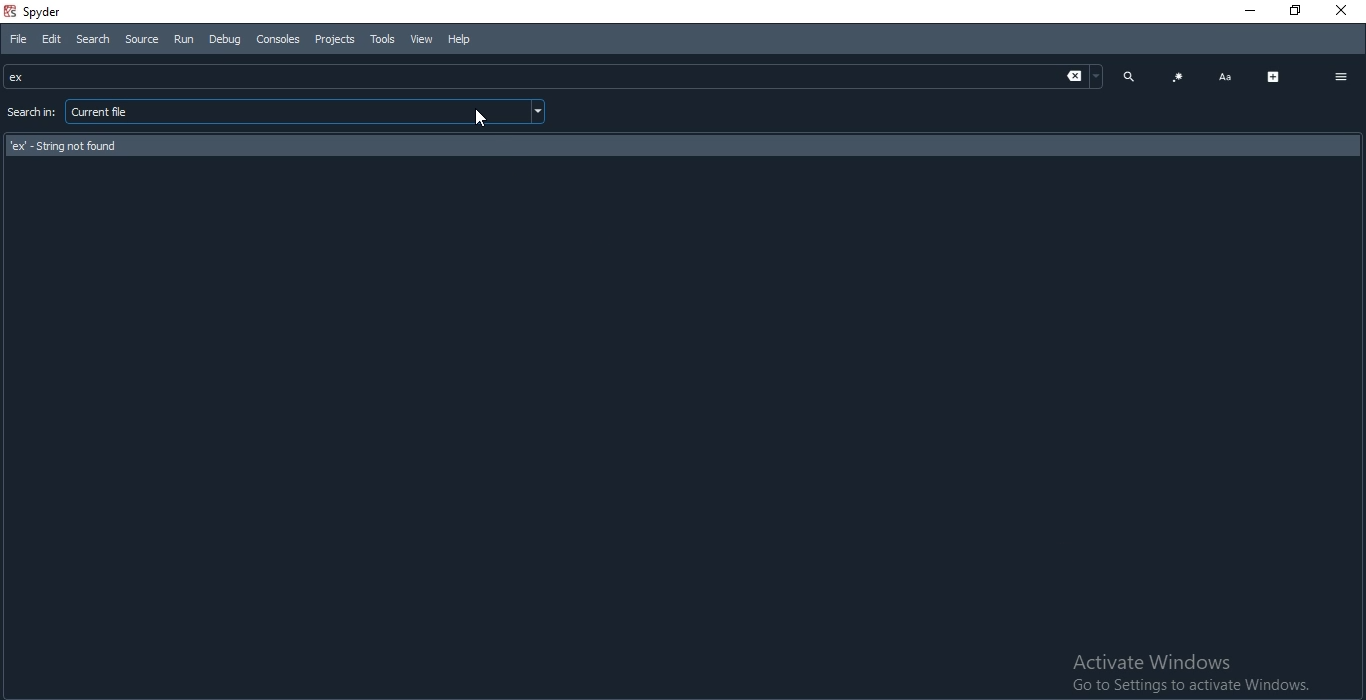 The width and height of the screenshot is (1366, 700). What do you see at coordinates (1225, 78) in the screenshot?
I see `font` at bounding box center [1225, 78].